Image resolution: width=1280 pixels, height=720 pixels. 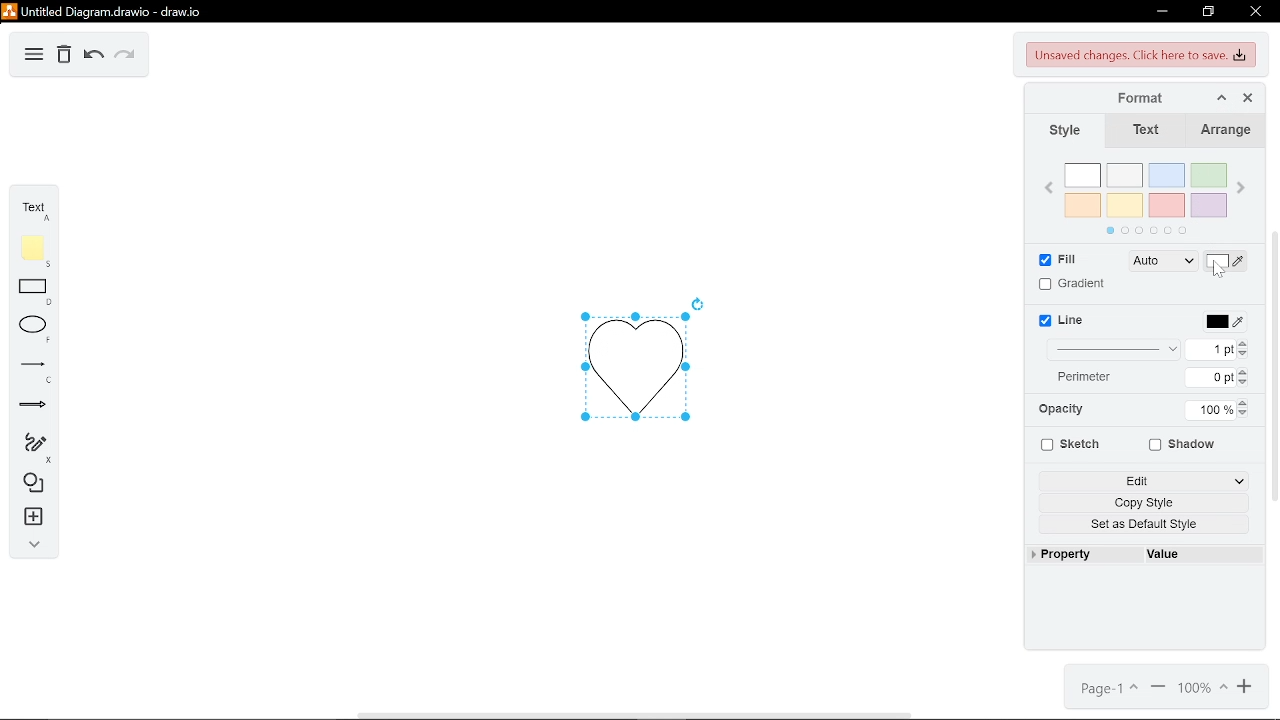 I want to click on 100%, so click(x=1212, y=408).